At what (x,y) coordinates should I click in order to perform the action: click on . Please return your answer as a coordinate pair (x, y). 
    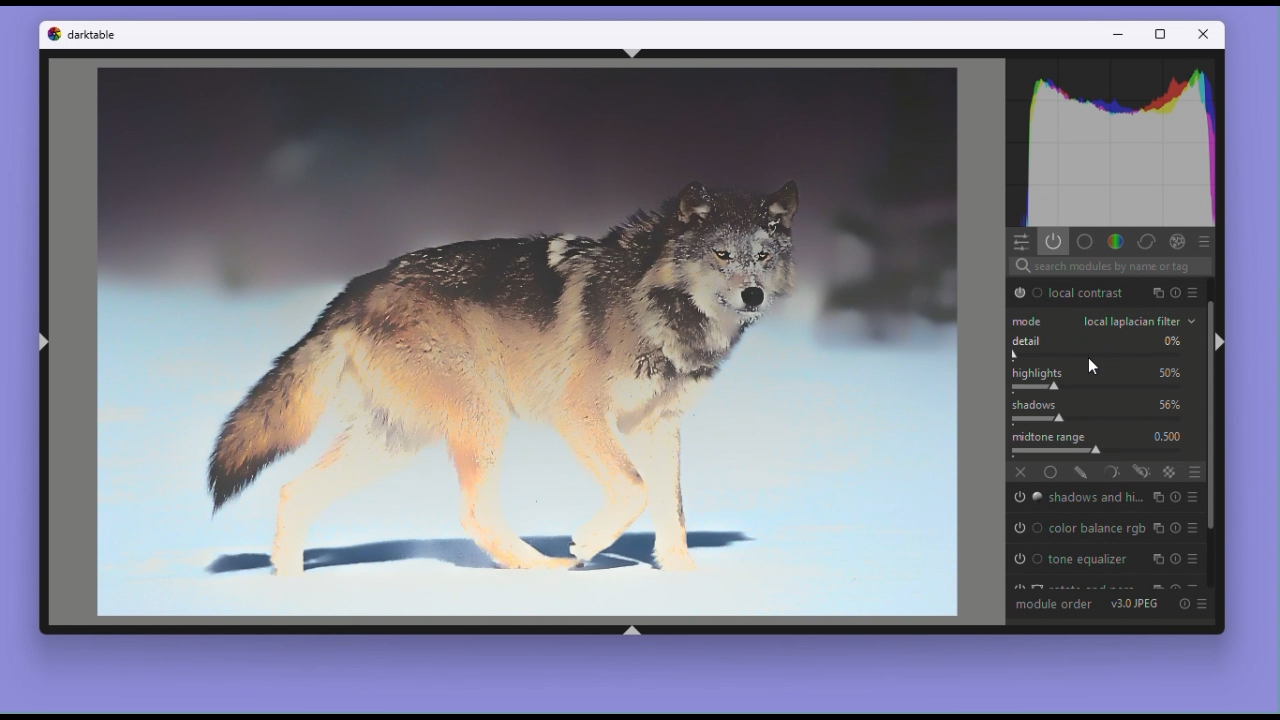
    Looking at the image, I should click on (1179, 242).